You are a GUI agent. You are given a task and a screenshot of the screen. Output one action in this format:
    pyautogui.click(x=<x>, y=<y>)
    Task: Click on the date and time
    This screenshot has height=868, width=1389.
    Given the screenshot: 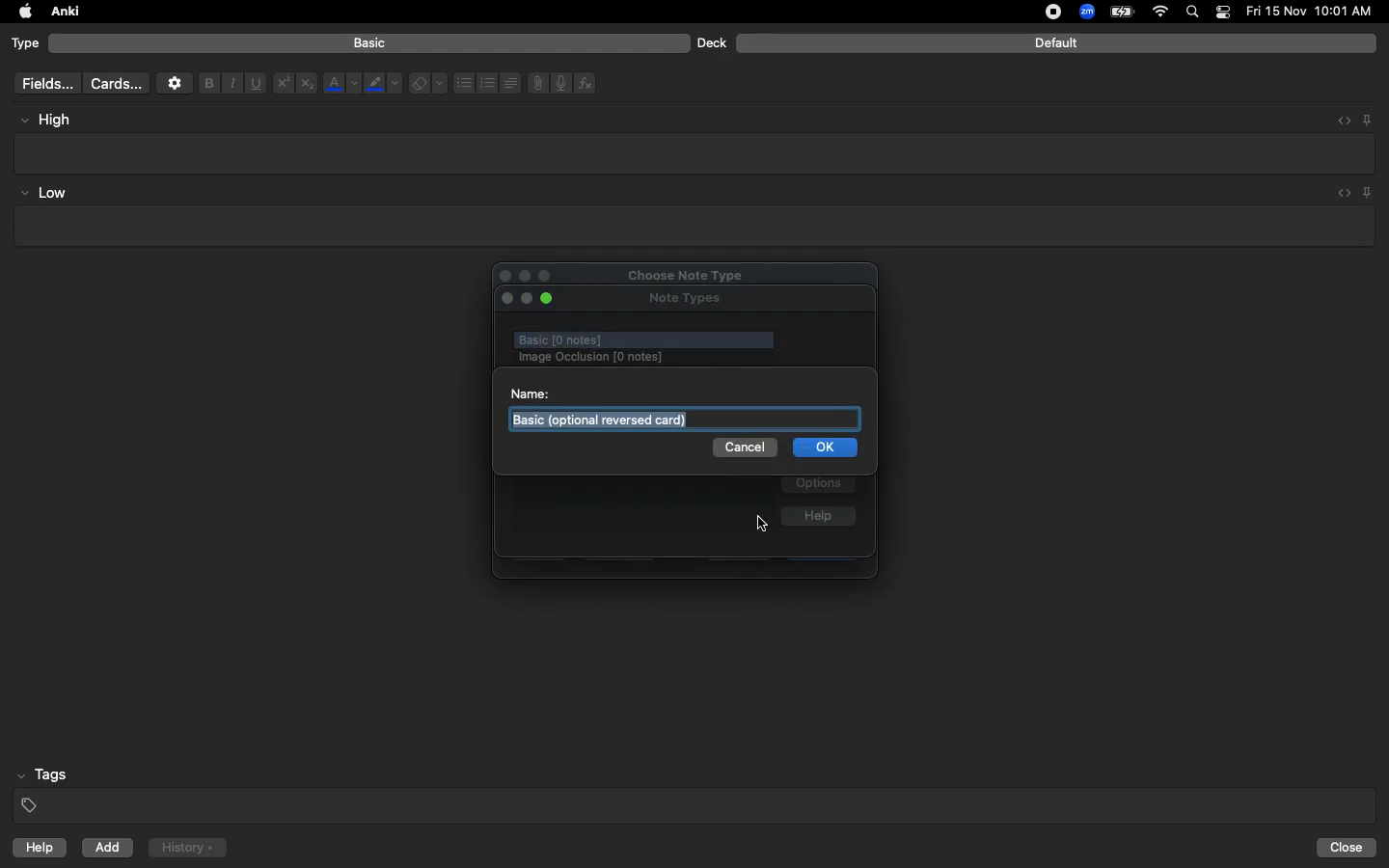 What is the action you would take?
    pyautogui.click(x=1315, y=11)
    